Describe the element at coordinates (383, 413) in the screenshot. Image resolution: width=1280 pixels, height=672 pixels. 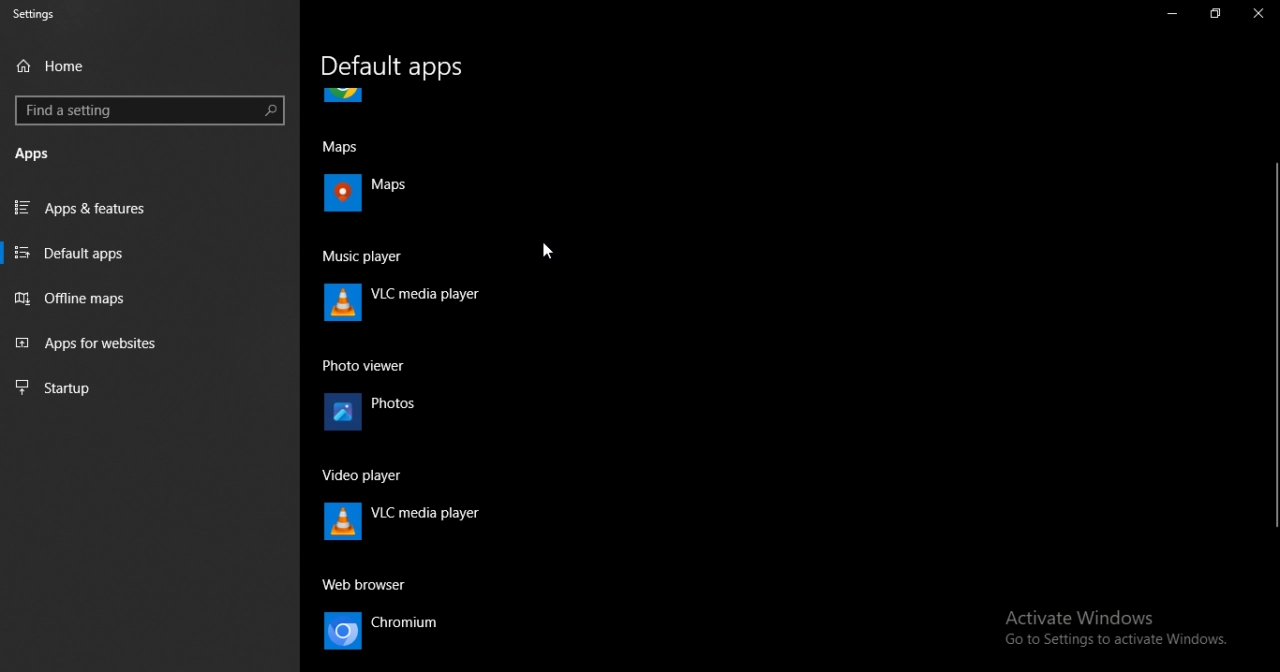
I see `photos` at that location.